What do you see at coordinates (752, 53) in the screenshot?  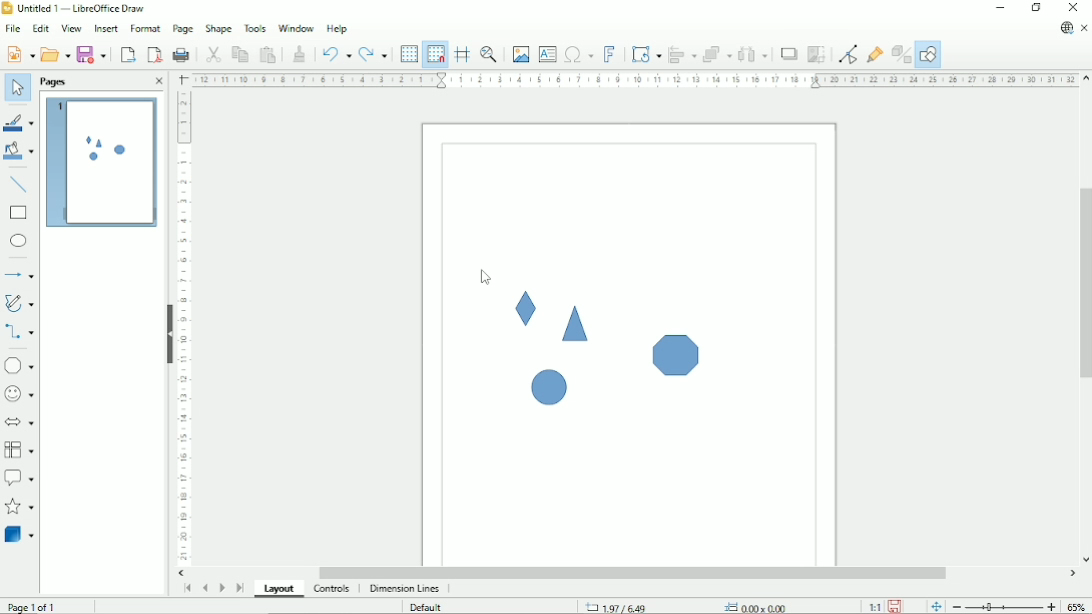 I see `Distribute` at bounding box center [752, 53].